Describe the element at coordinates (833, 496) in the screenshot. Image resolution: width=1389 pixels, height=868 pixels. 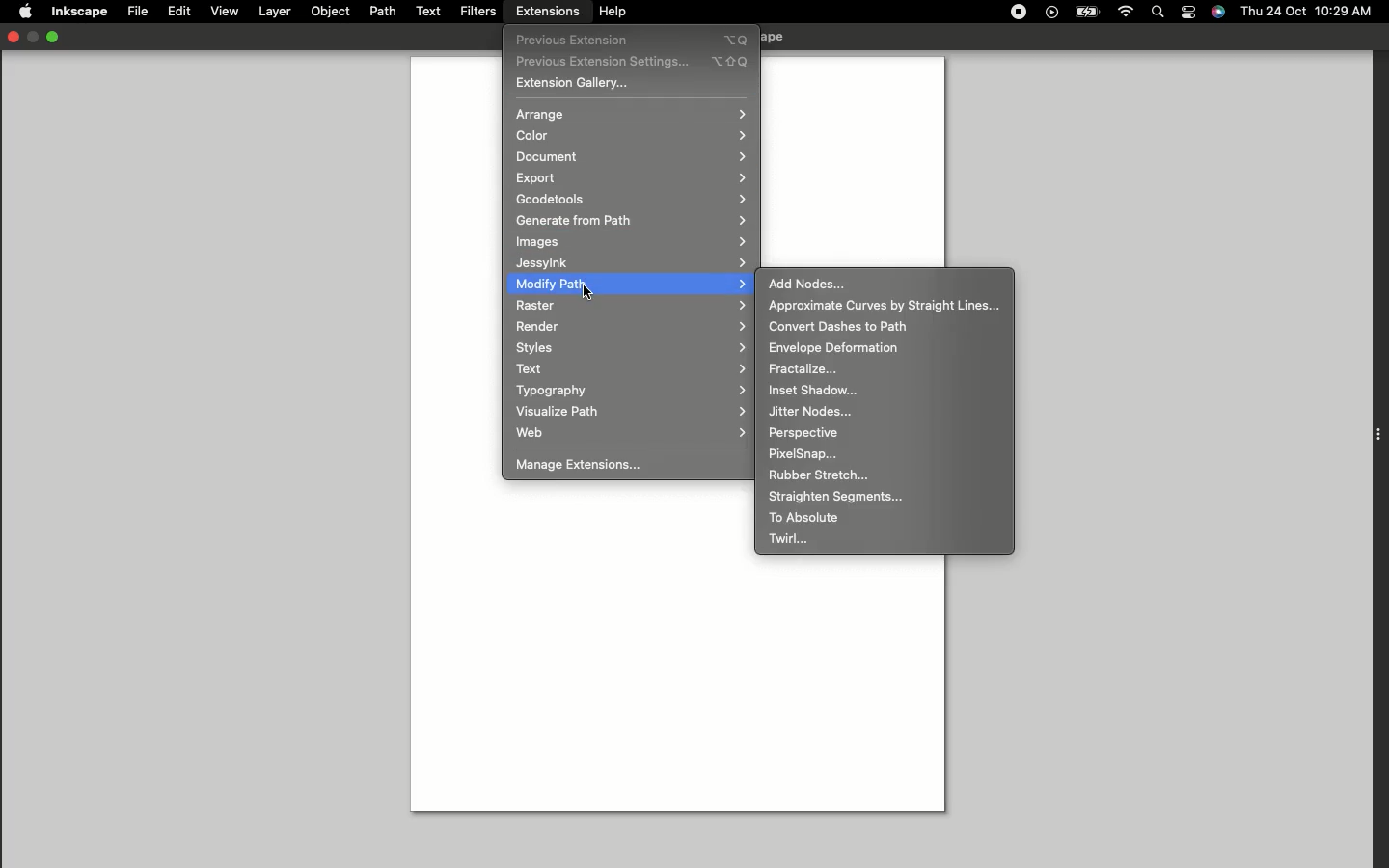
I see `Straighten segments` at that location.